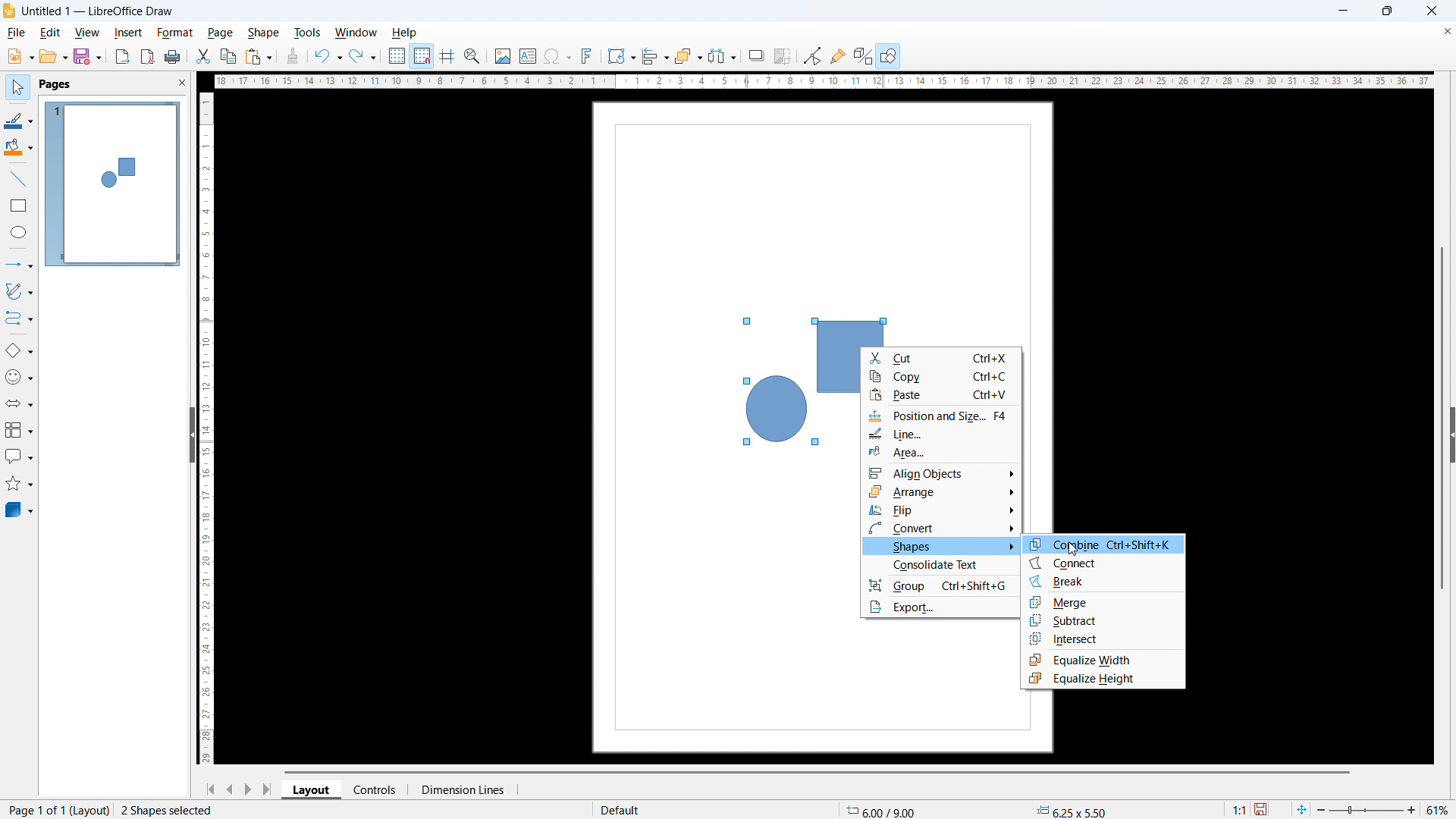 Image resolution: width=1456 pixels, height=819 pixels. I want to click on export, so click(941, 607).